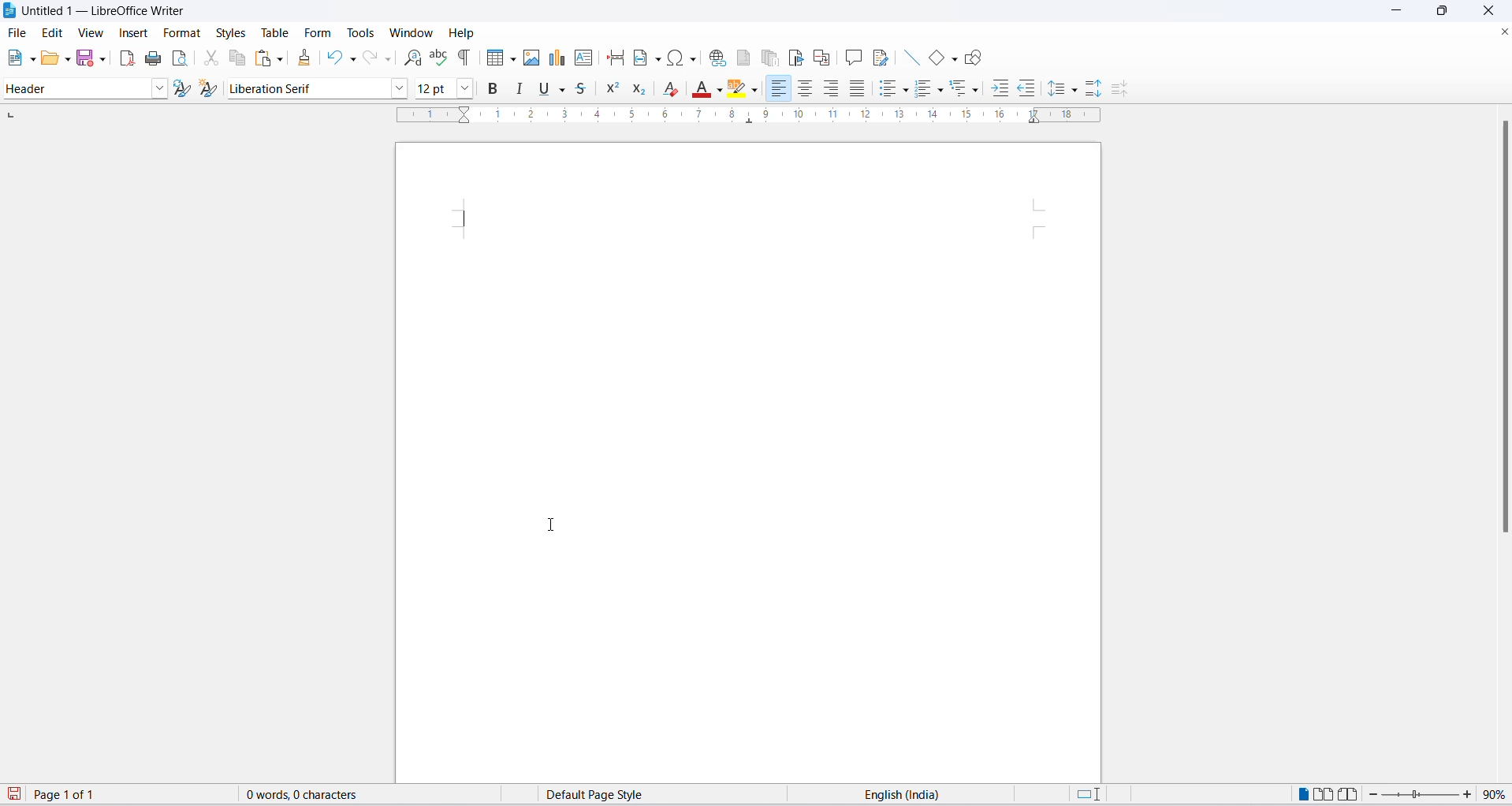  Describe the element at coordinates (852, 55) in the screenshot. I see `insert comments` at that location.